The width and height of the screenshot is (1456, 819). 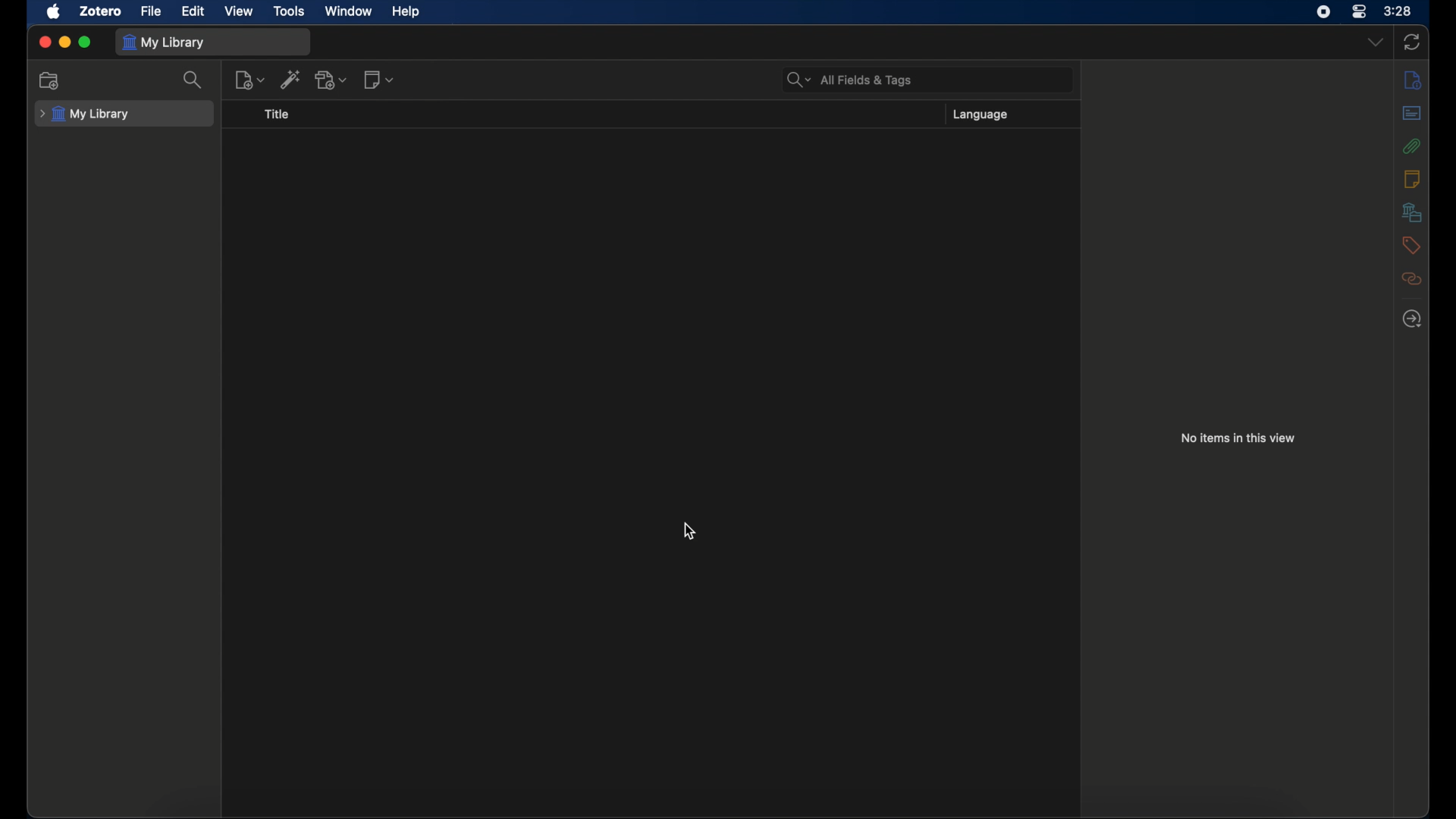 What do you see at coordinates (1359, 11) in the screenshot?
I see `control center` at bounding box center [1359, 11].